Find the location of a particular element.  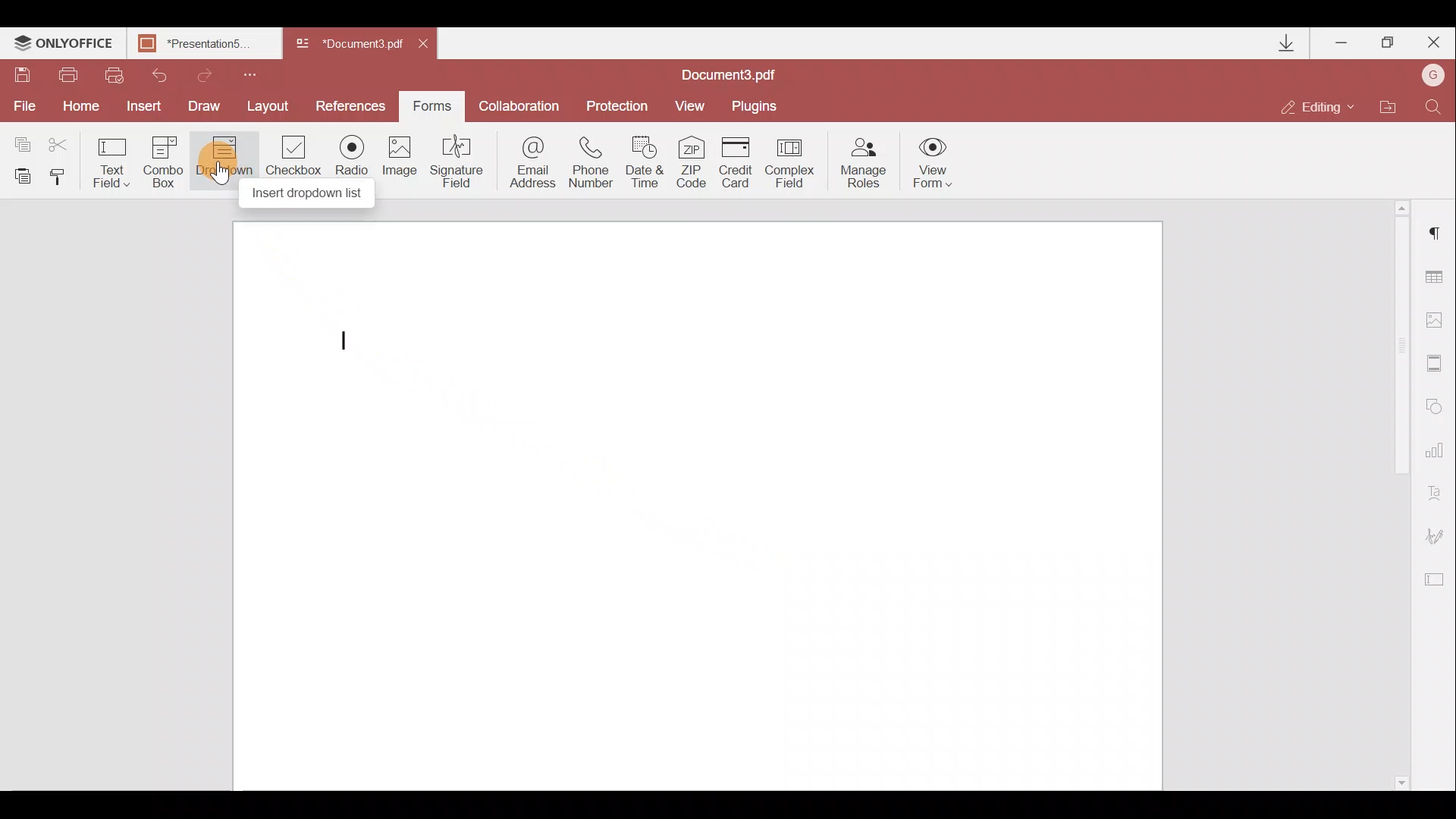

Form settings is located at coordinates (1441, 578).